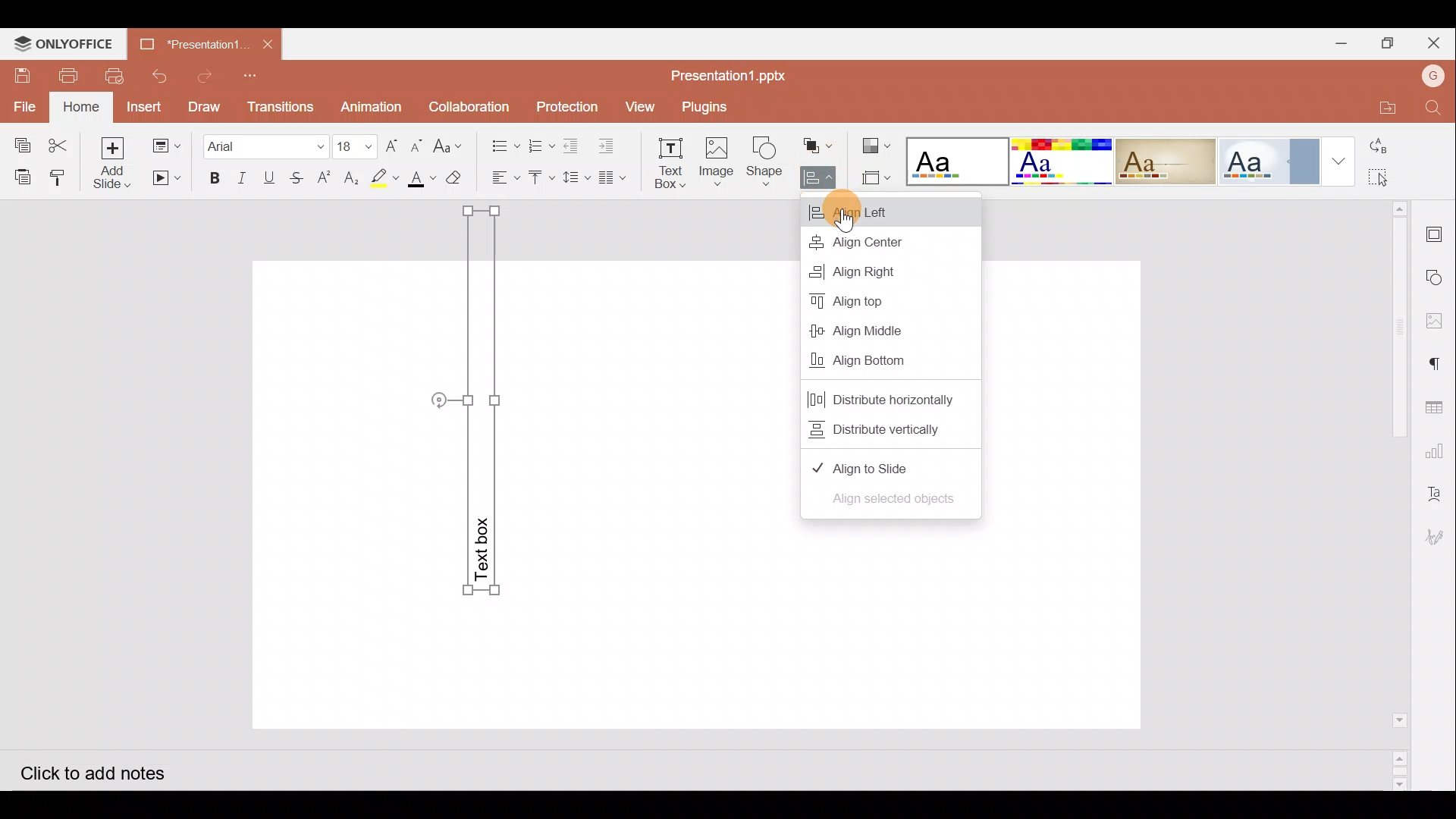  Describe the element at coordinates (209, 179) in the screenshot. I see `Bold` at that location.